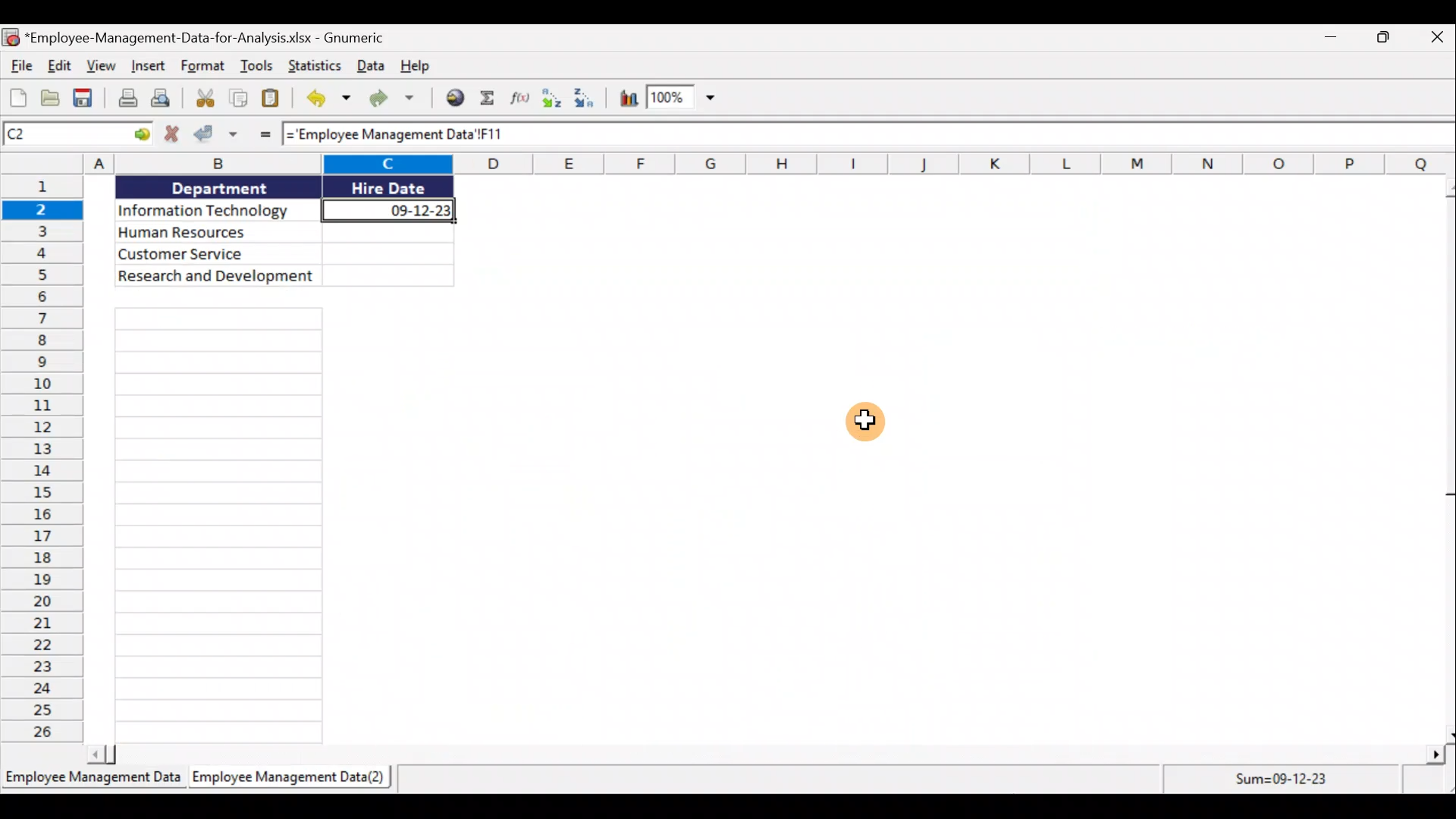 The width and height of the screenshot is (1456, 819). Describe the element at coordinates (416, 68) in the screenshot. I see `Help` at that location.